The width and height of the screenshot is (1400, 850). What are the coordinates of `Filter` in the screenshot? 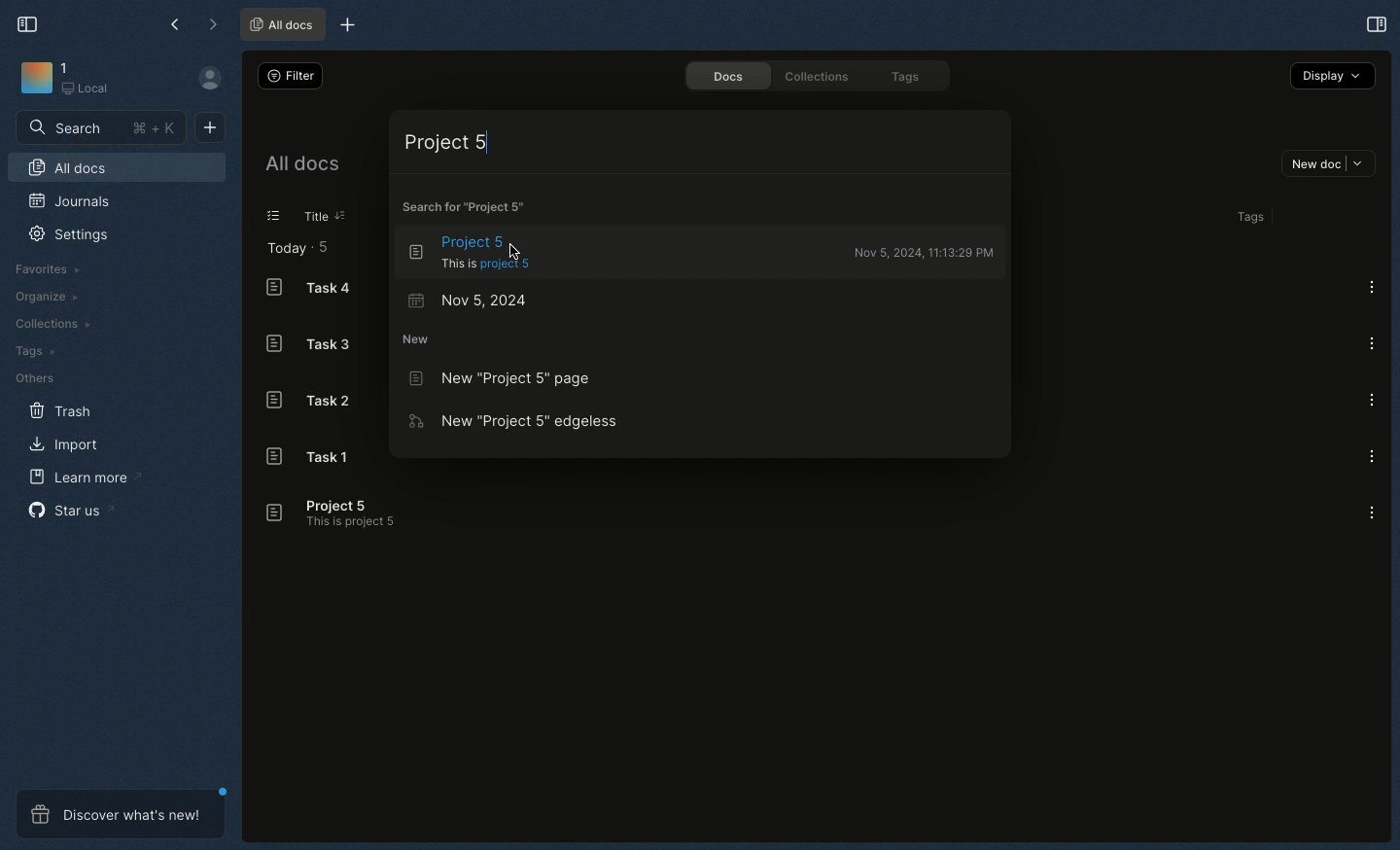 It's located at (288, 75).